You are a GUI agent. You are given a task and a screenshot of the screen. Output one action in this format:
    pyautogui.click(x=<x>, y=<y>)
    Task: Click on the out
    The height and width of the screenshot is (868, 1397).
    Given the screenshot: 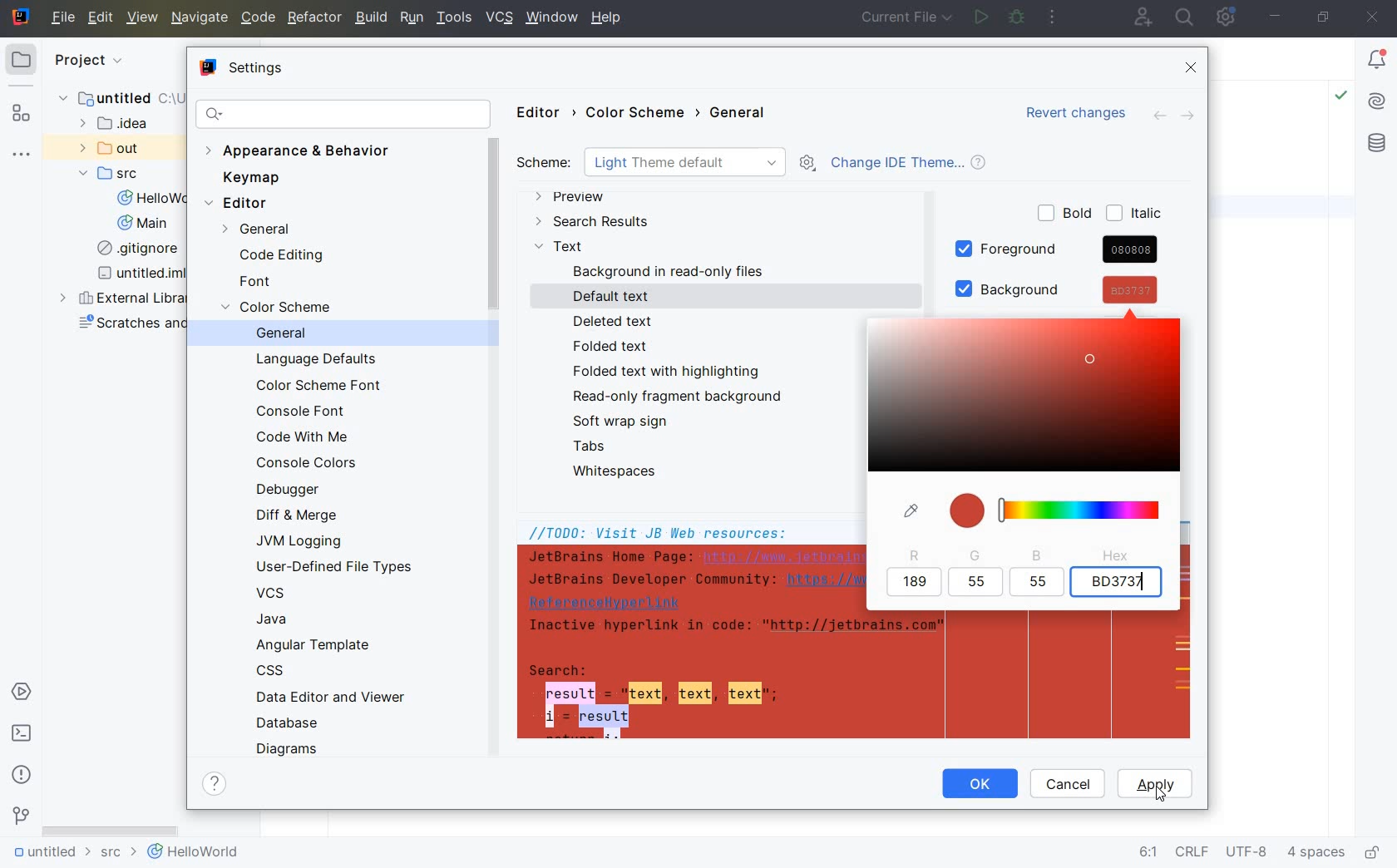 What is the action you would take?
    pyautogui.click(x=109, y=148)
    